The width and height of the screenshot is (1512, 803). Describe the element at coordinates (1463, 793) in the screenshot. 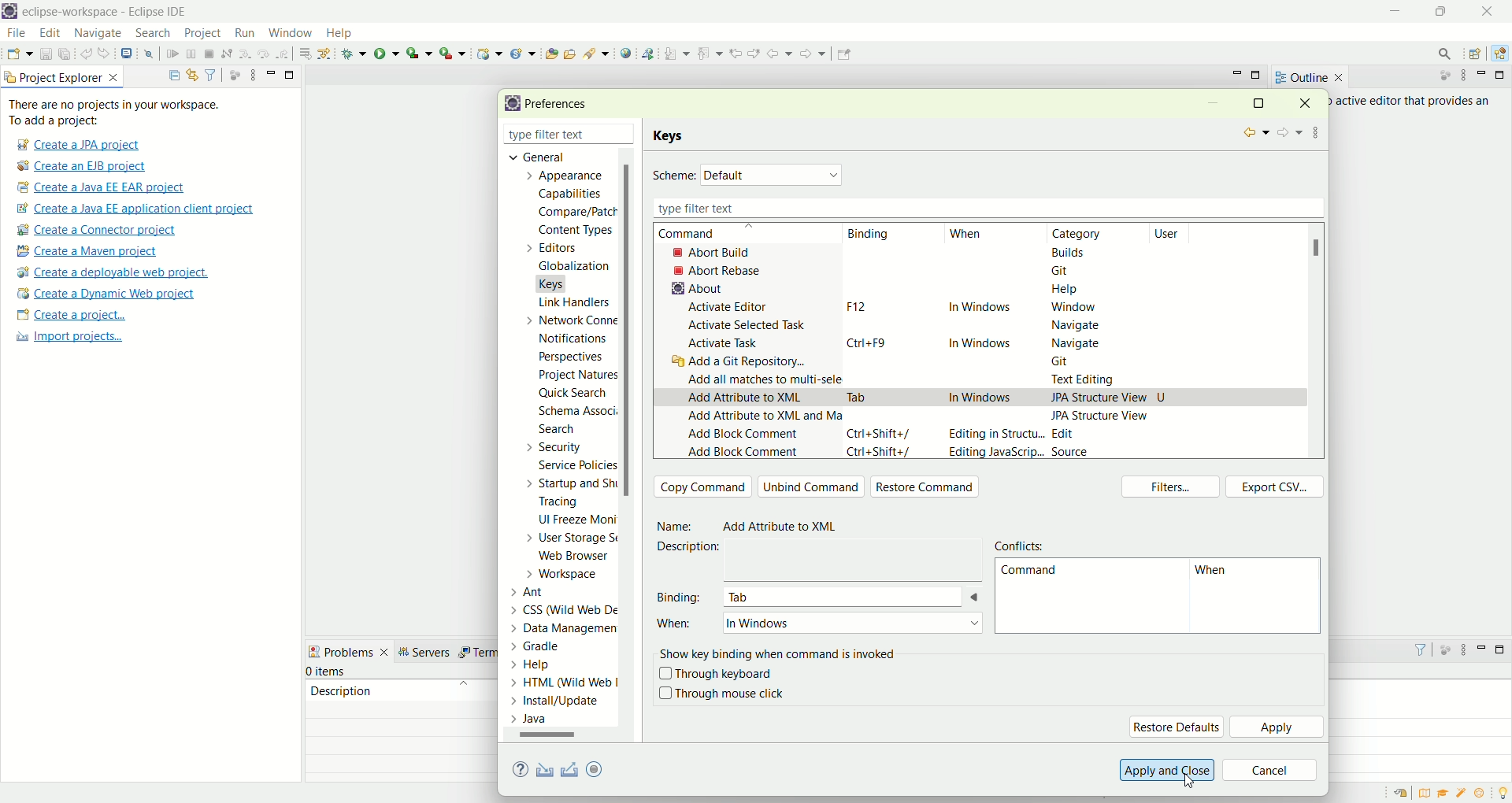

I see `samples` at that location.